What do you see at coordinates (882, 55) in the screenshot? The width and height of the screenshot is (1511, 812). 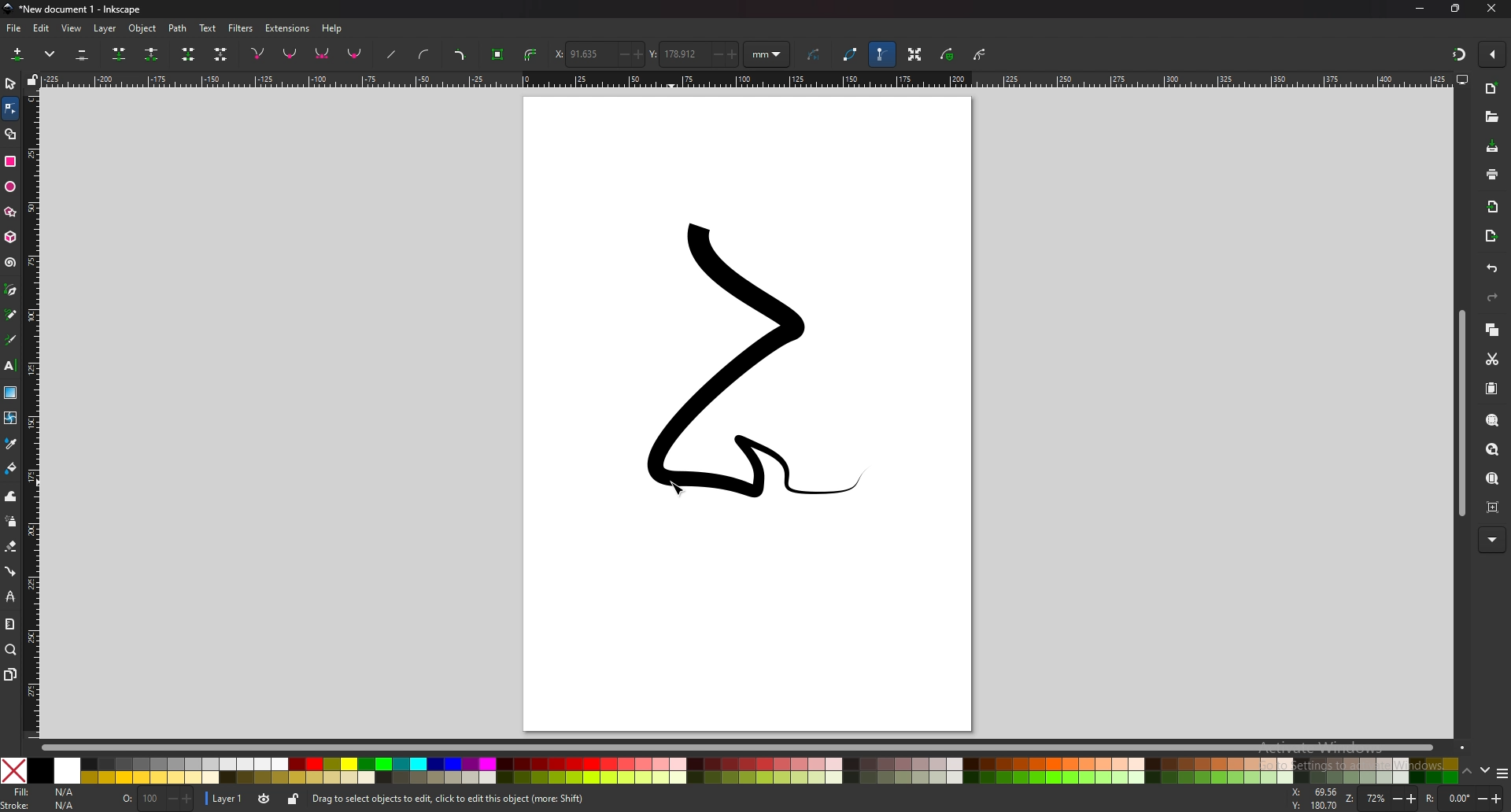 I see `bezier handle` at bounding box center [882, 55].